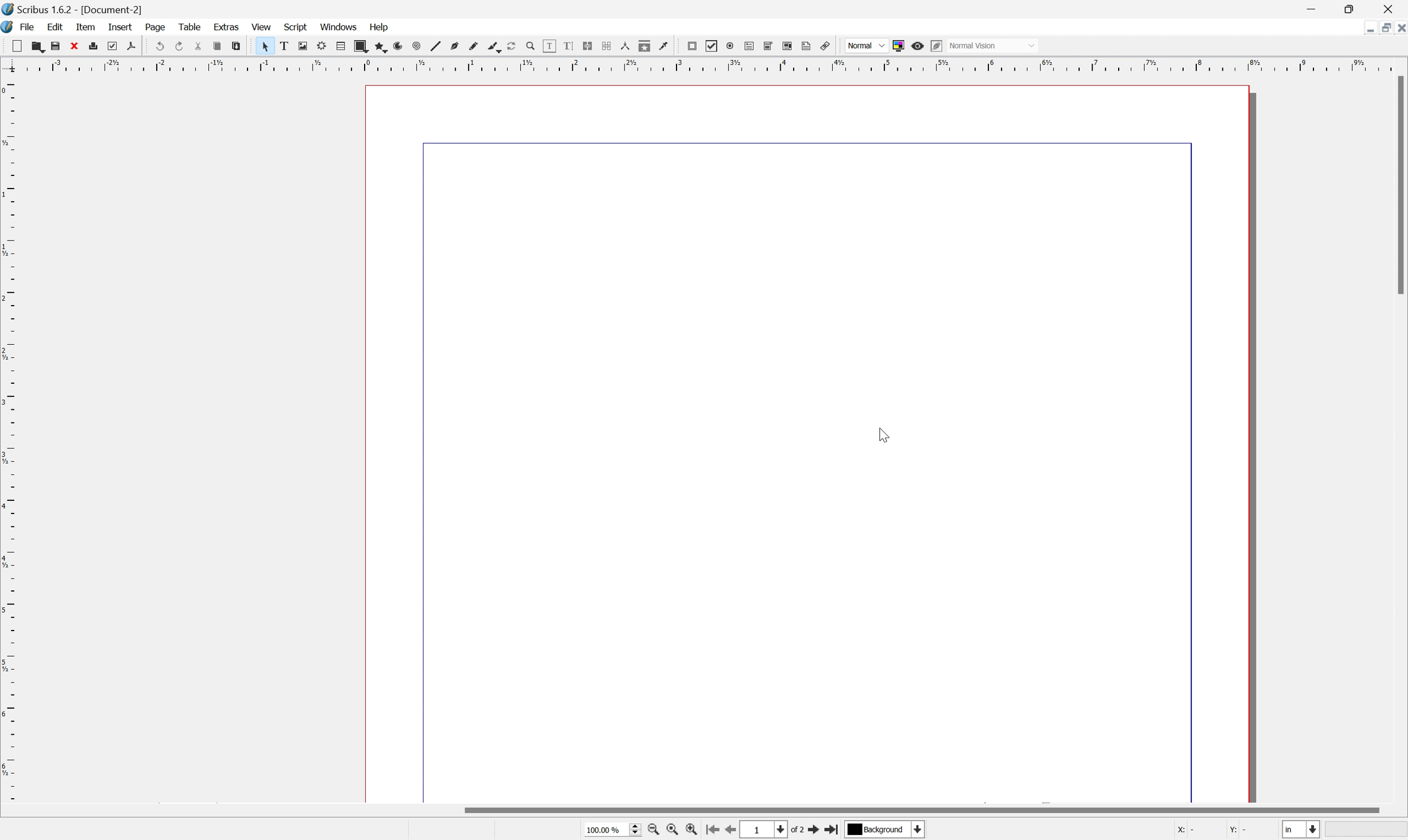 The width and height of the screenshot is (1408, 840). I want to click on Redo, so click(179, 46).